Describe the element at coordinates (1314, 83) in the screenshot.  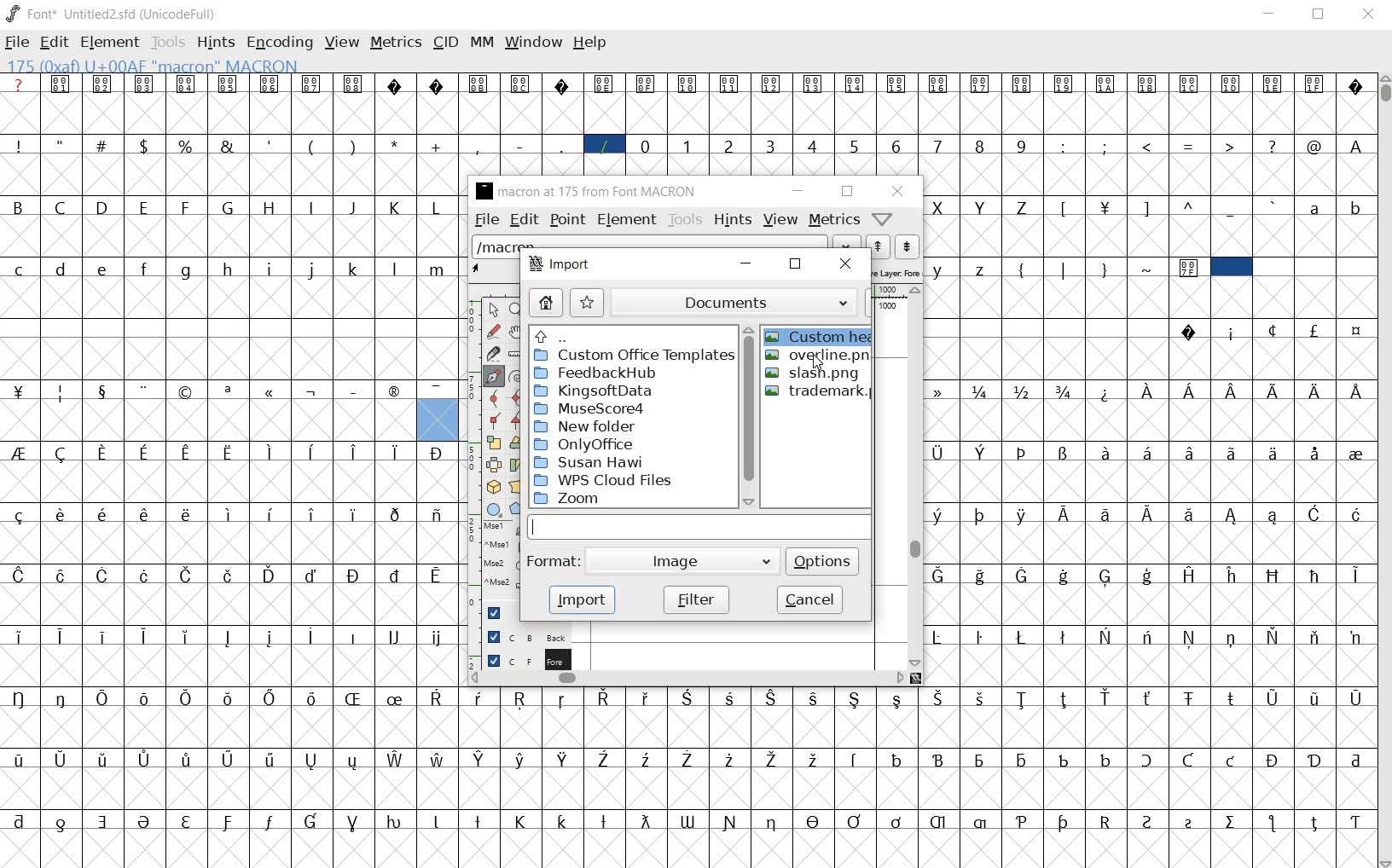
I see `Symbol` at that location.